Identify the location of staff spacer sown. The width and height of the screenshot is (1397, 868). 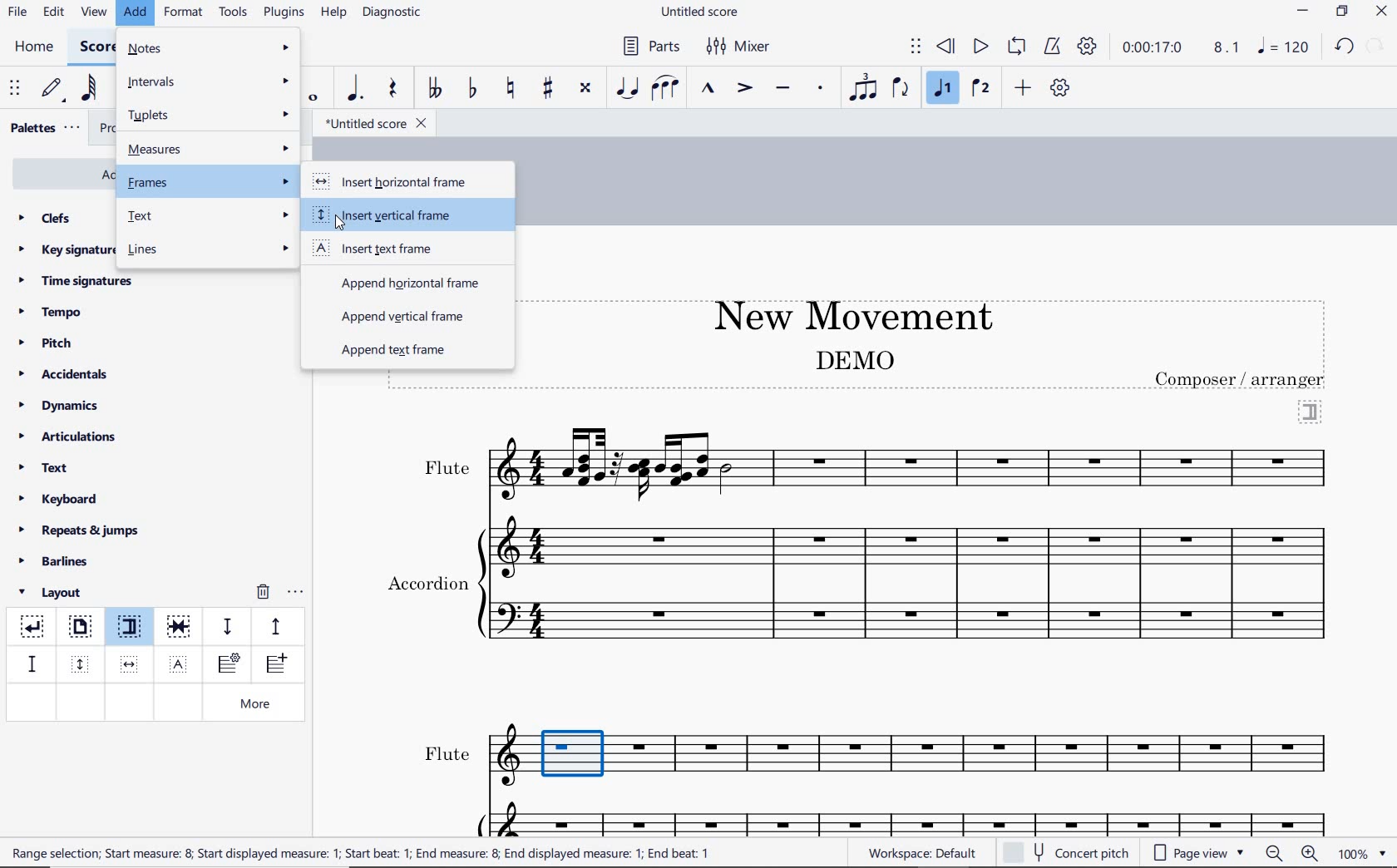
(227, 627).